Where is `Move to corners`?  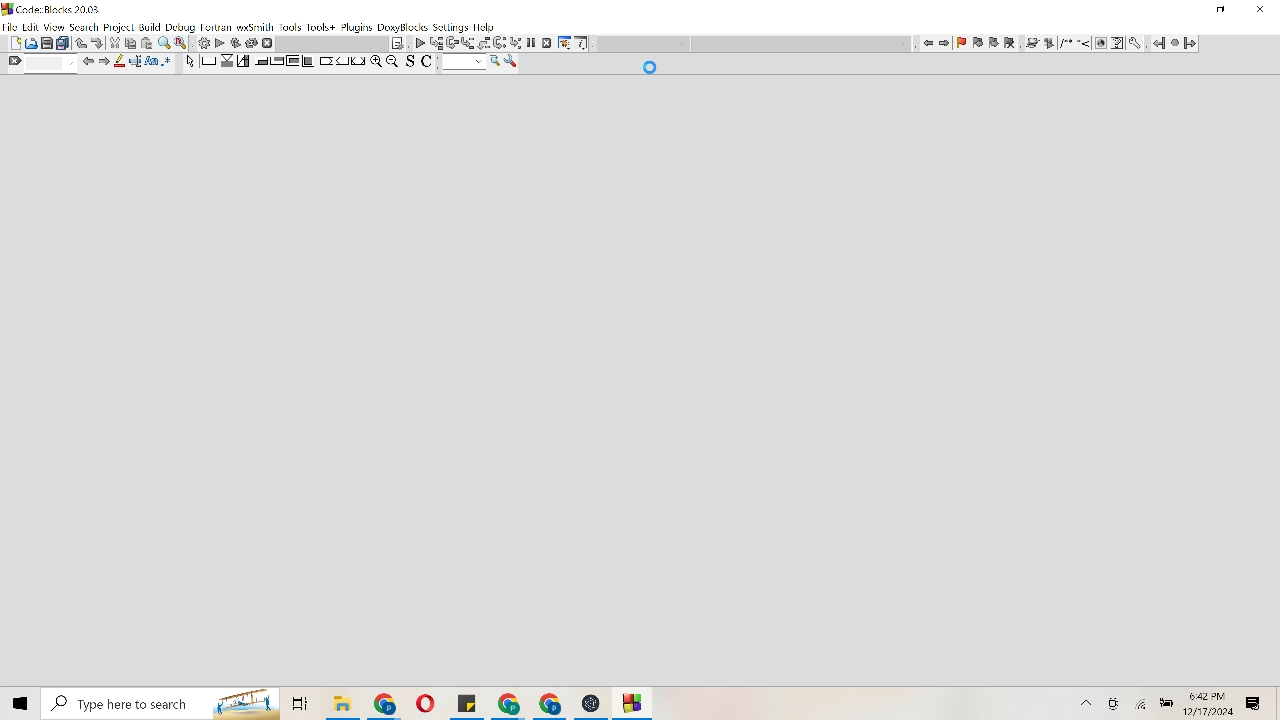 Move to corners is located at coordinates (260, 61).